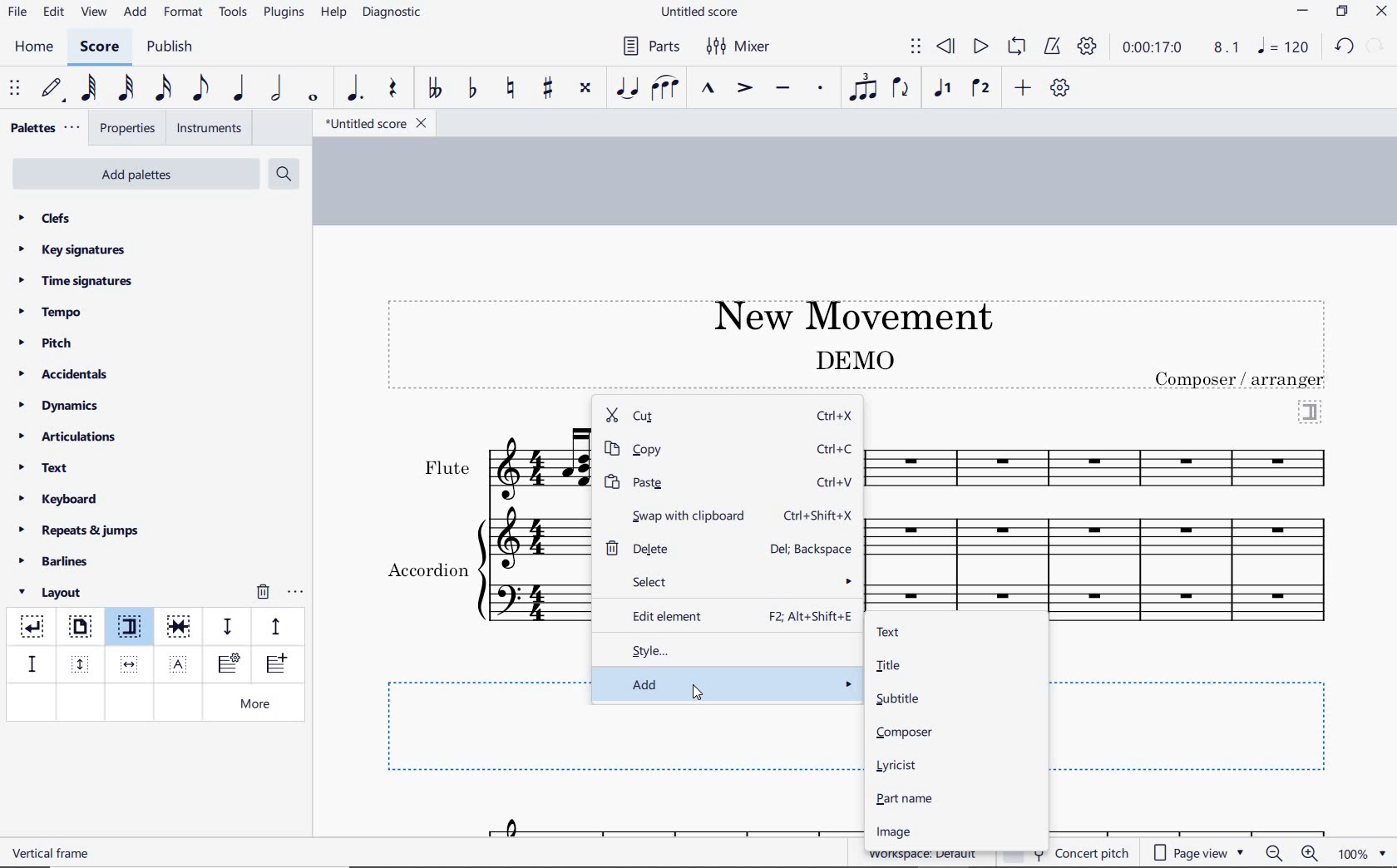 The image size is (1397, 868). I want to click on tuplet, so click(860, 87).